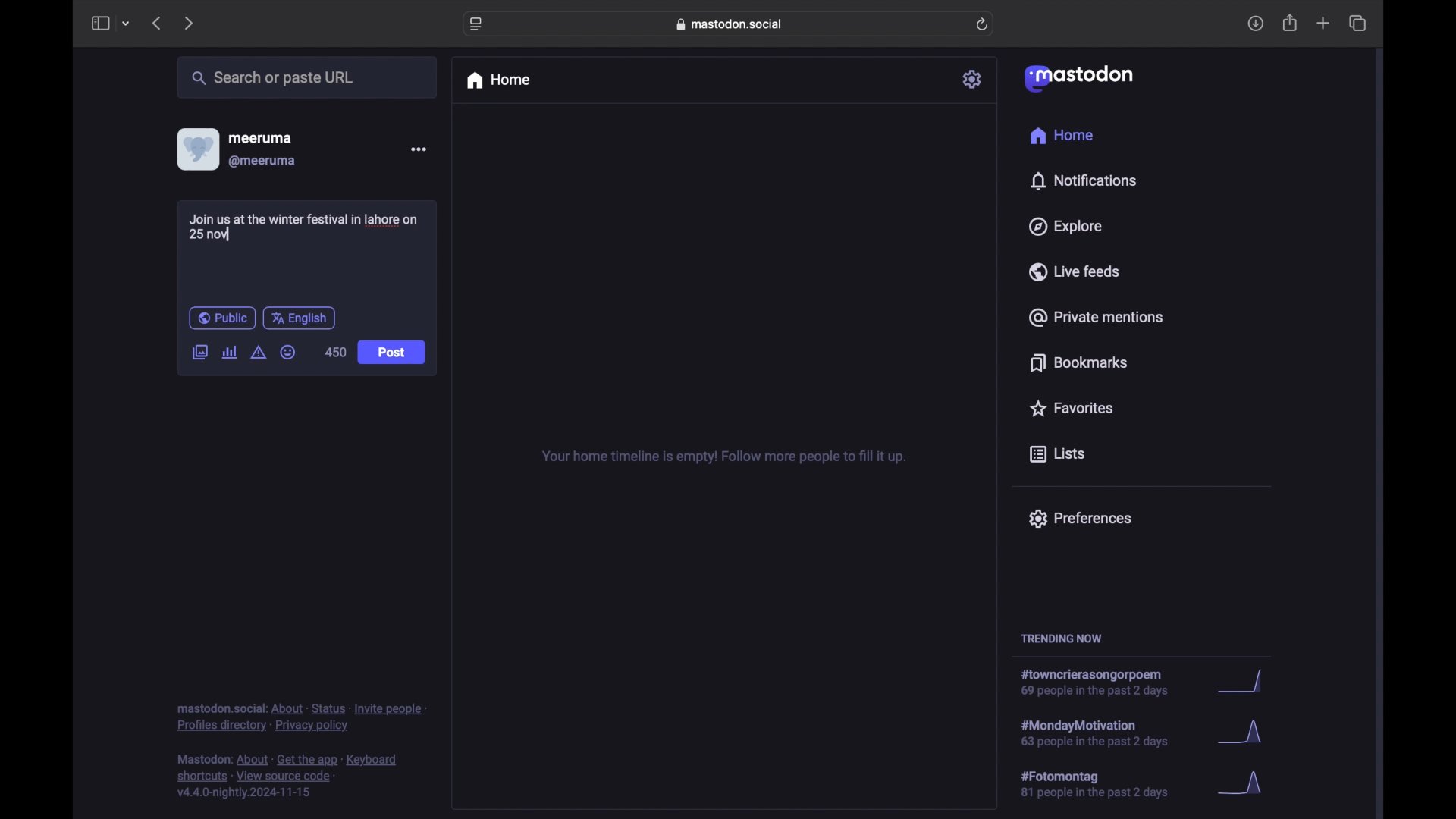 The width and height of the screenshot is (1456, 819). I want to click on display picture, so click(196, 149).